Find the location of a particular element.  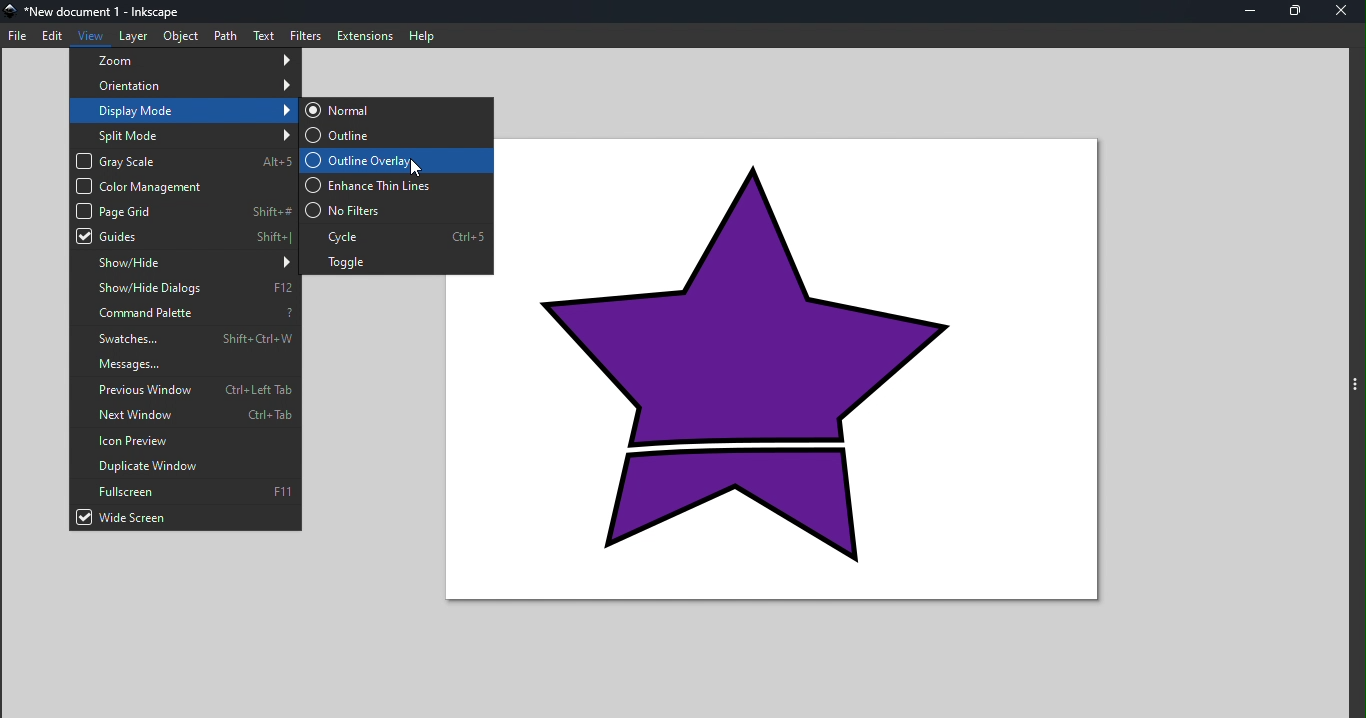

Previous window is located at coordinates (186, 389).